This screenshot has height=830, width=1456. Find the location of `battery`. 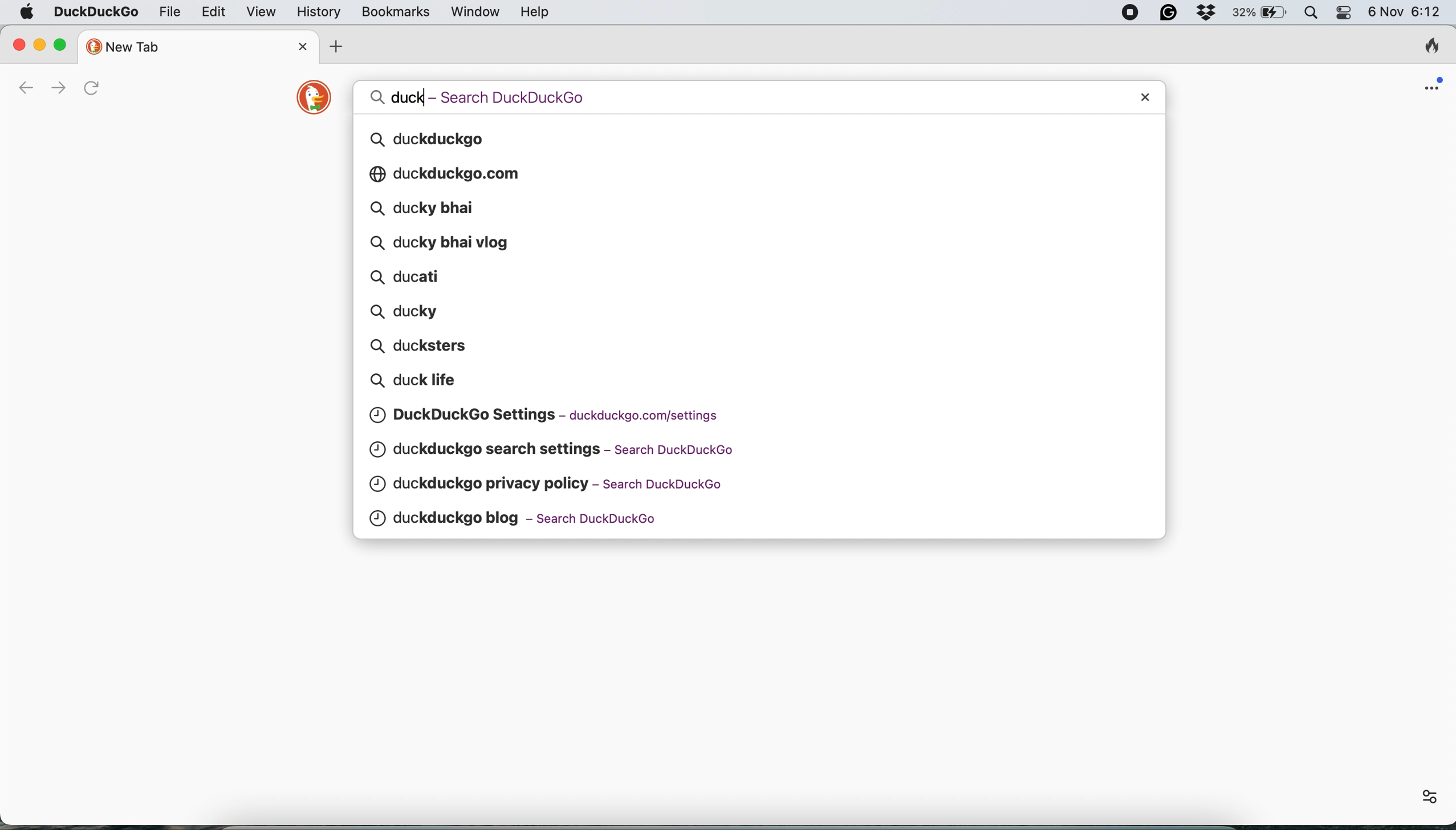

battery is located at coordinates (1260, 13).